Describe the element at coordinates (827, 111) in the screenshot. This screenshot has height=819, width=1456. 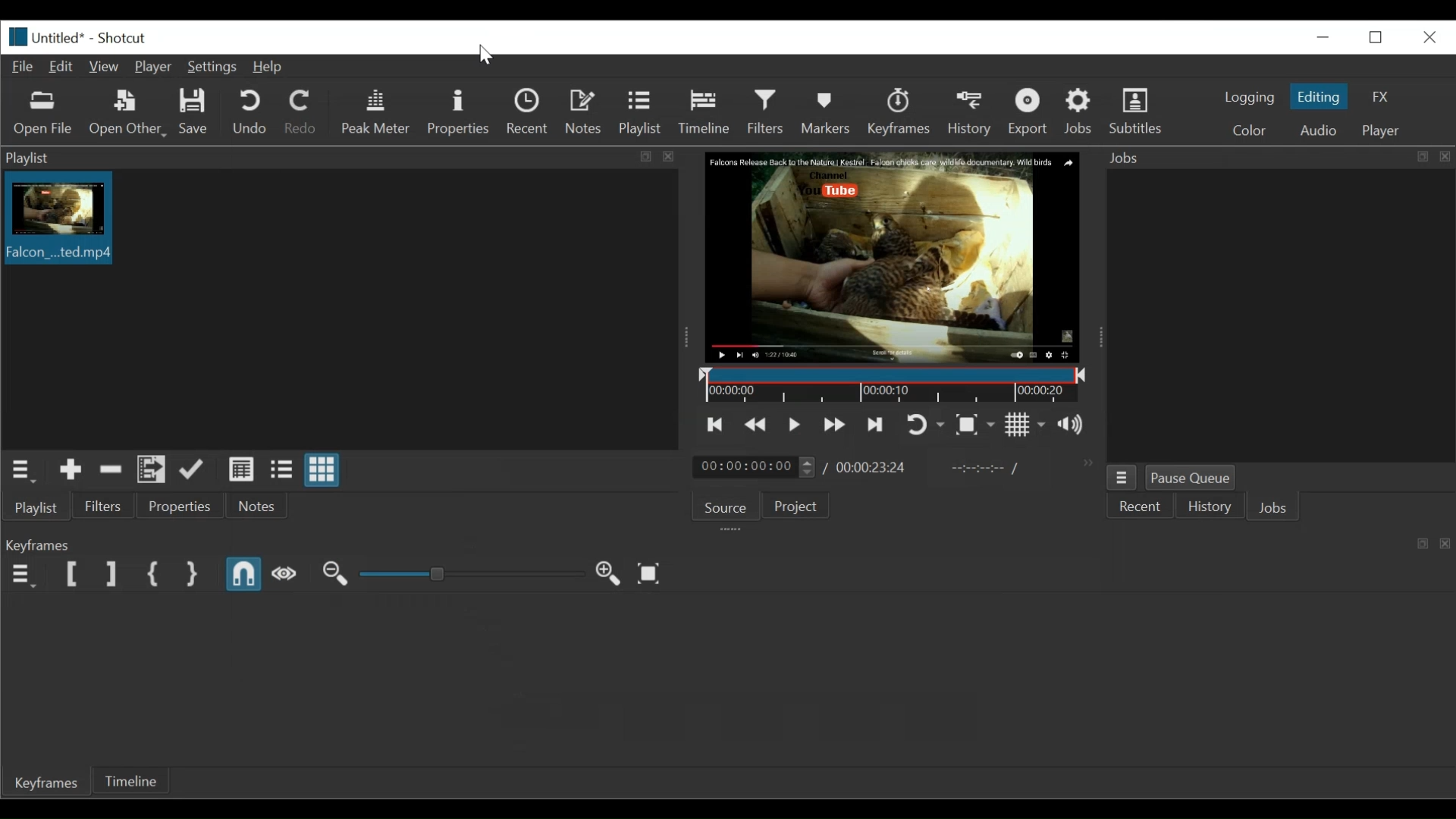
I see `Markers` at that location.